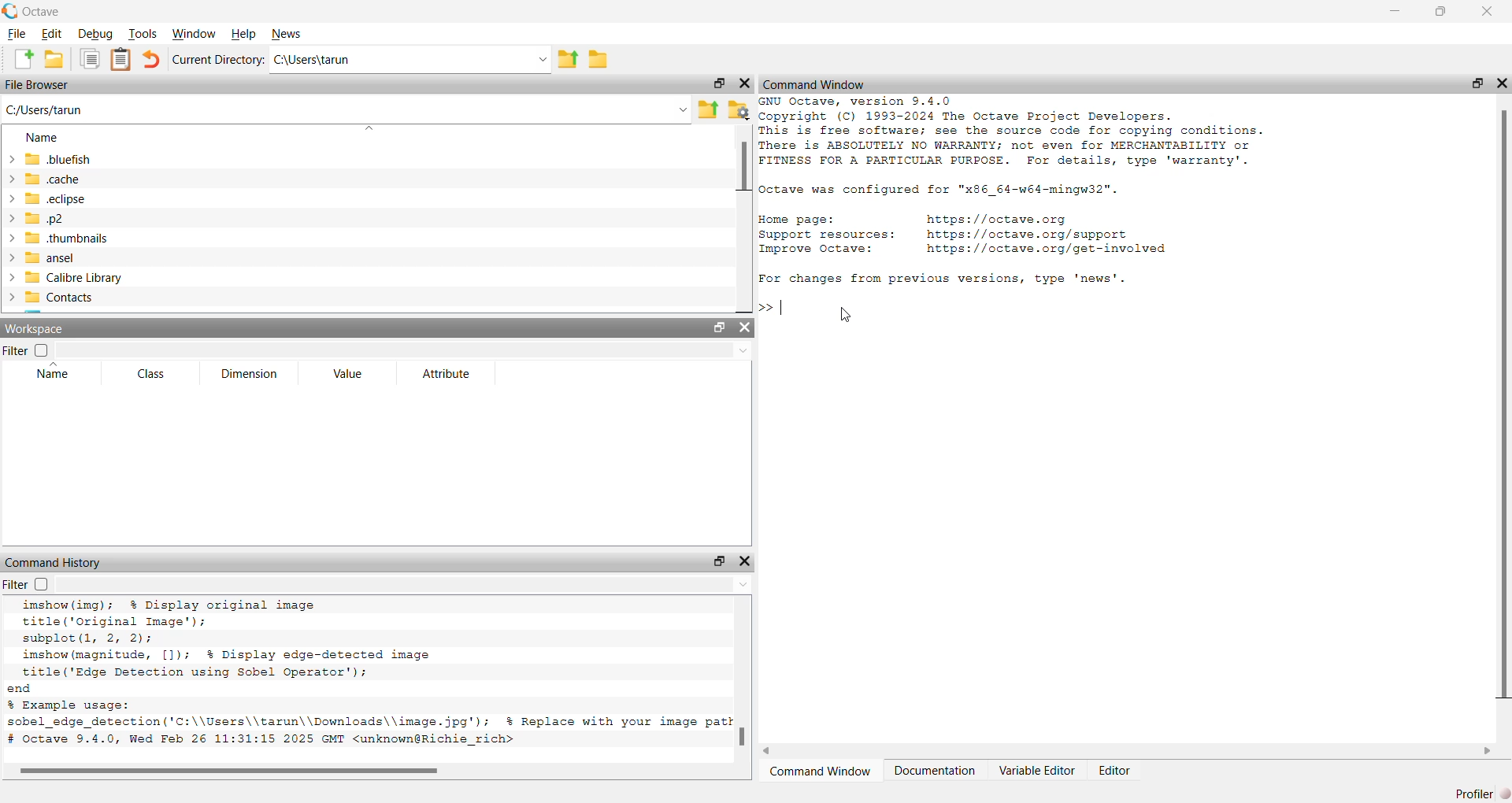 The width and height of the screenshot is (1512, 803). Describe the element at coordinates (1025, 195) in the screenshot. I see `GNU Octave, version 9.4.0

Copyright (C) 1993-2024 The Octave Project Developers.

This is free software; see the source code for copying conditions.
There is ABSOLUTELY NO WARRANTY; not even for MERCHANTABILITY or
FITNESS FOR A PARTICULAR PURPOSE. For details, type 'warranty'.
octave was configured for "x86_64-w64-mingw32".

Home page: https://octave.org

Support resources:  https://octave.org/support

Improve Octave: https: //octave.org/get-involved

For changes from previous versions, type 'news’.` at that location.